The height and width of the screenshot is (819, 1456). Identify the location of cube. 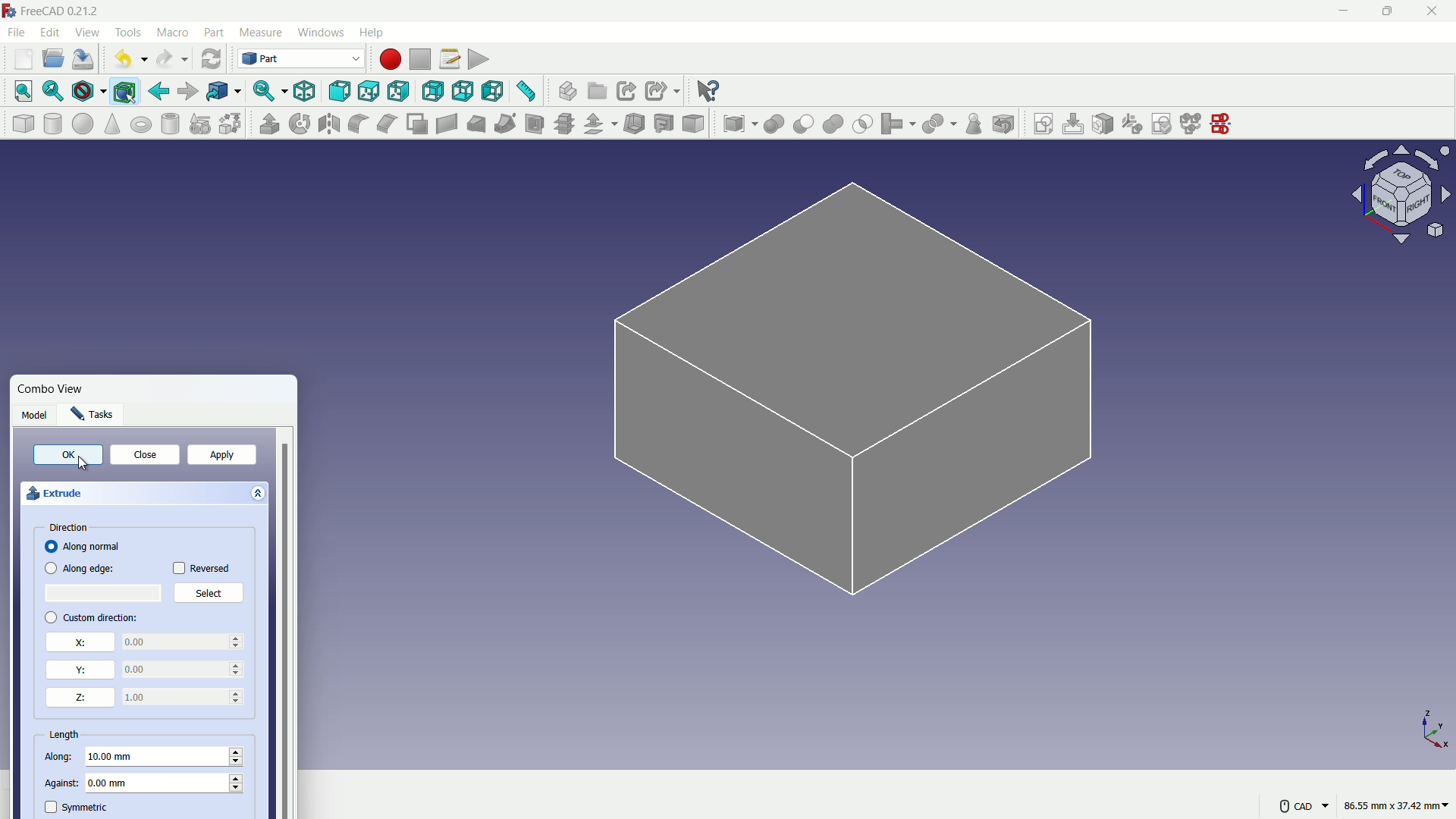
(23, 124).